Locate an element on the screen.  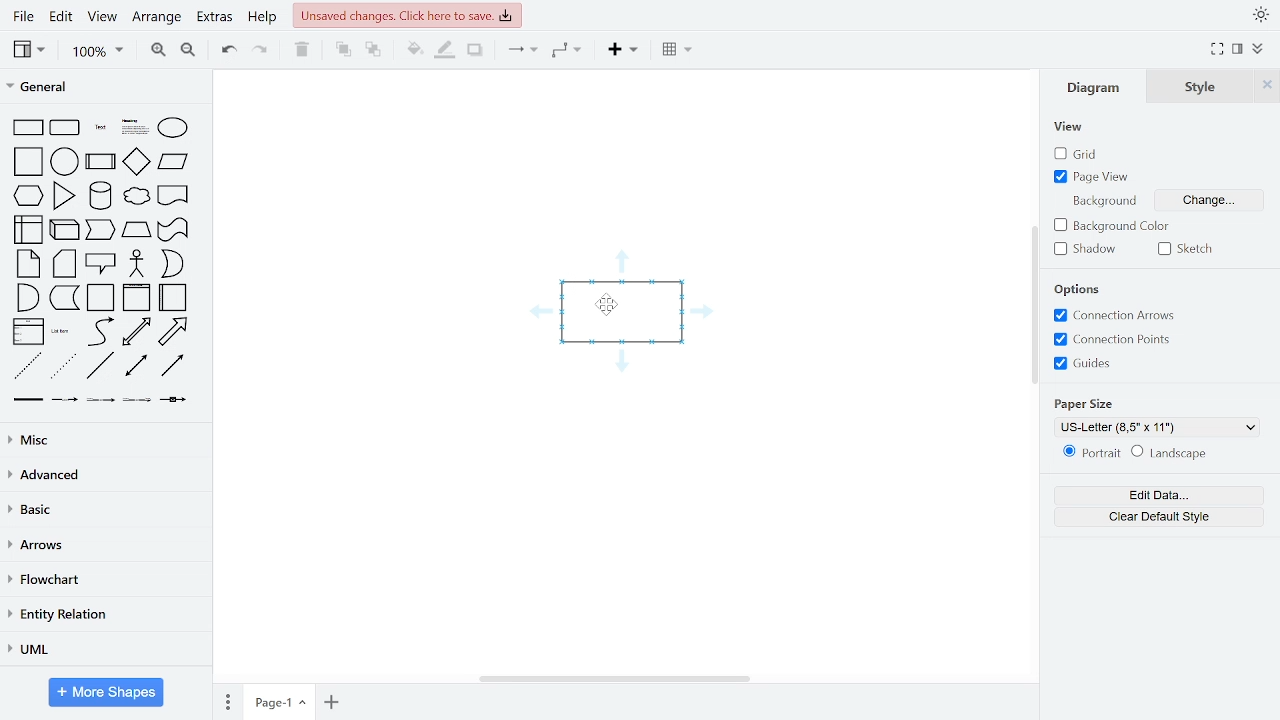
misc is located at coordinates (102, 439).